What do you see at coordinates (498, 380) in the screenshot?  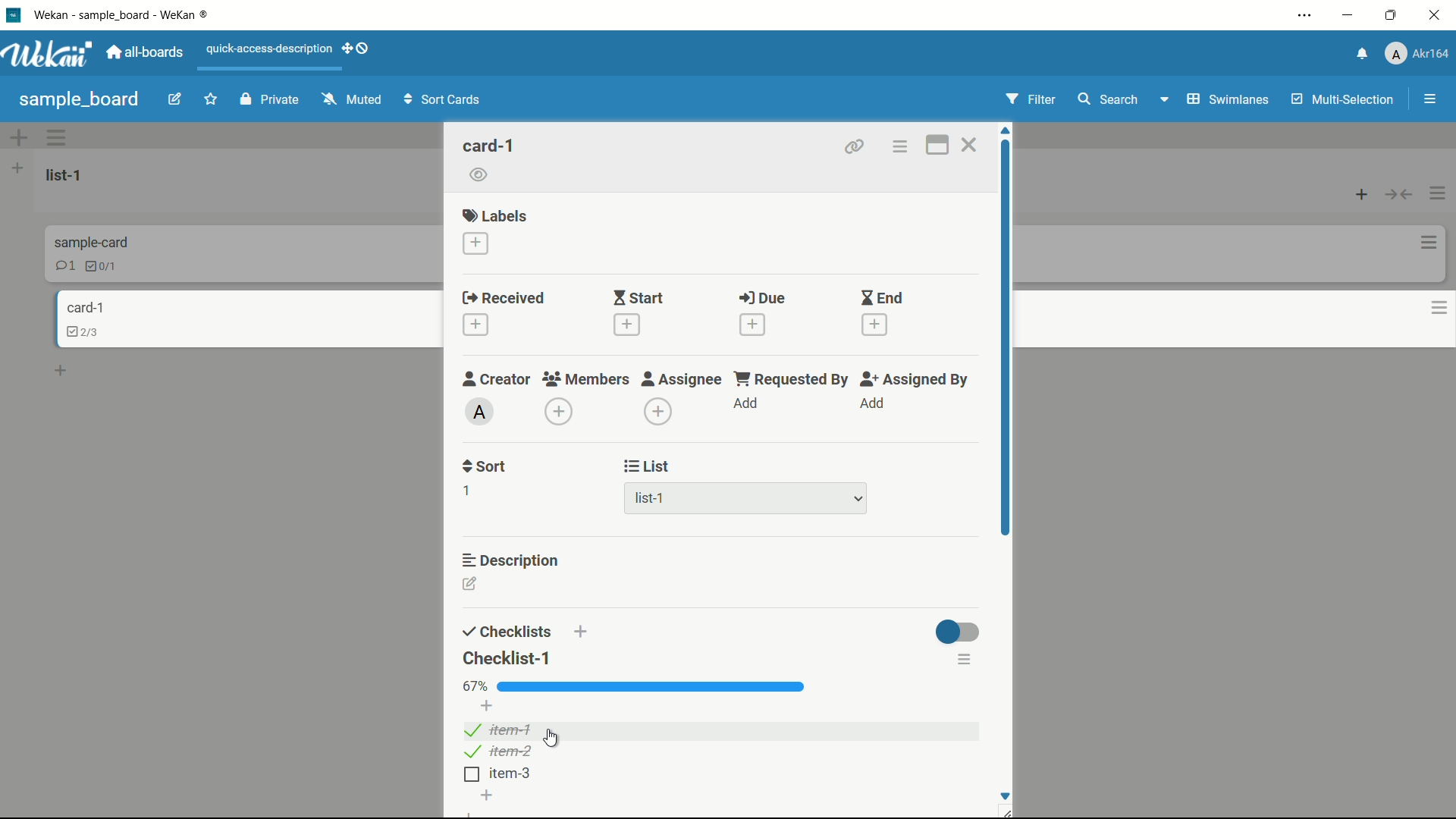 I see `creator` at bounding box center [498, 380].